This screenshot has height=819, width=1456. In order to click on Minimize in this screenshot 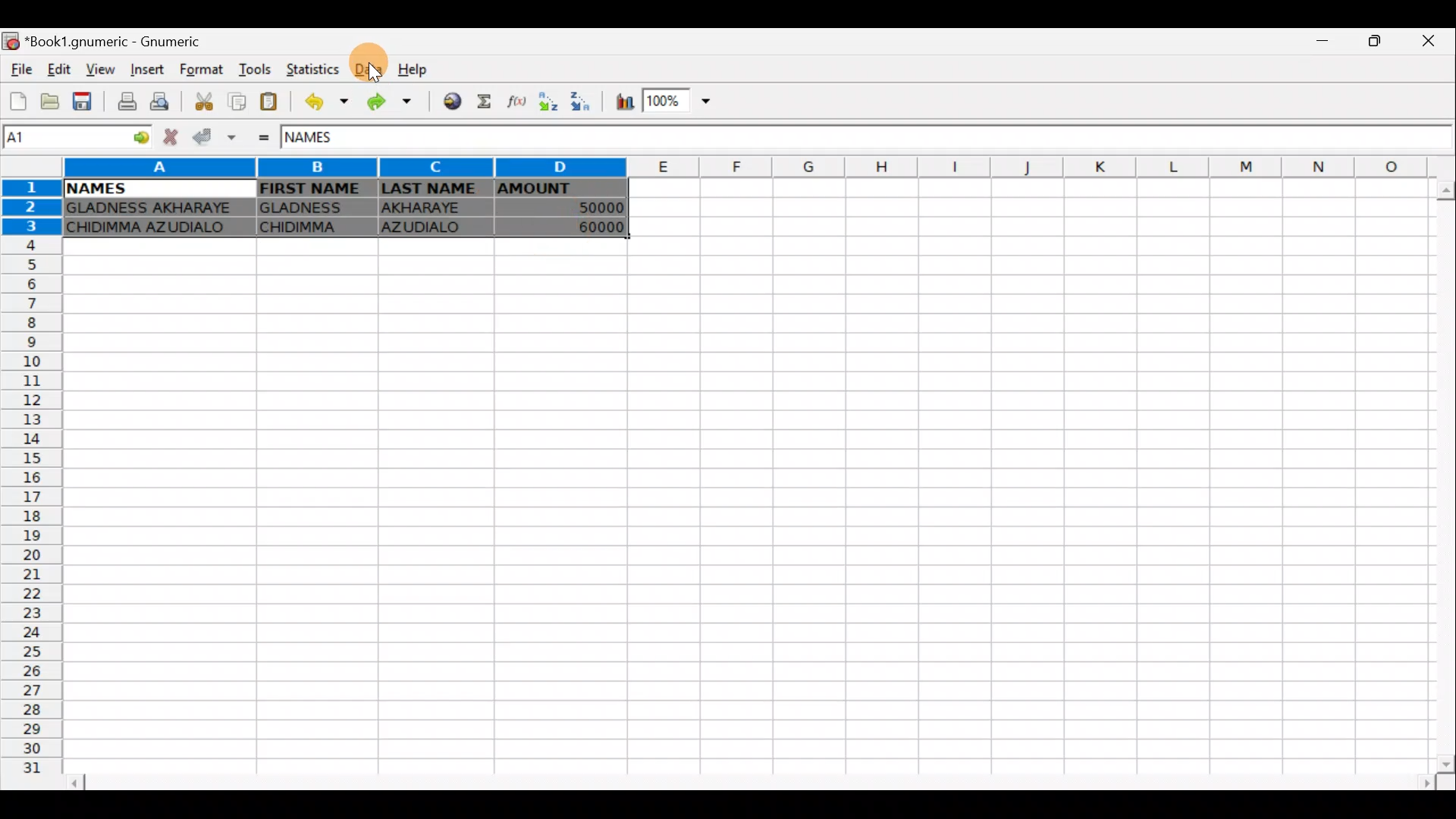, I will do `click(1323, 45)`.